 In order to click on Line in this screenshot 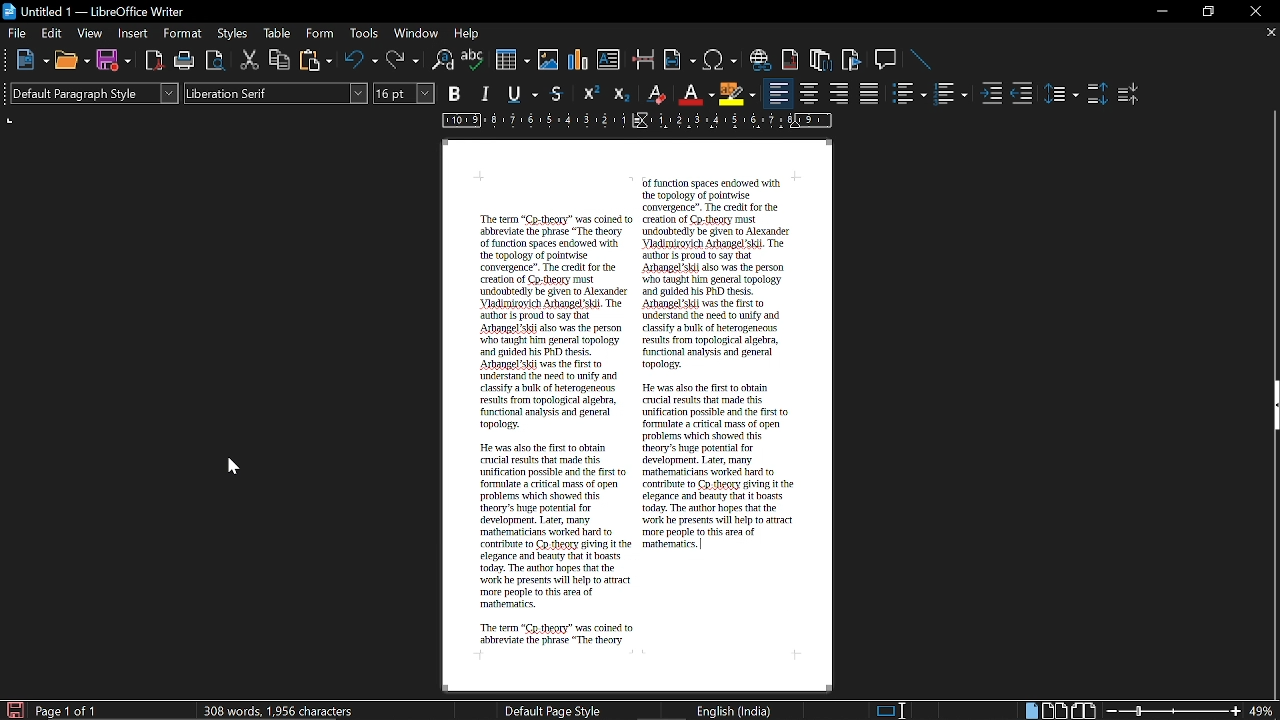, I will do `click(925, 61)`.